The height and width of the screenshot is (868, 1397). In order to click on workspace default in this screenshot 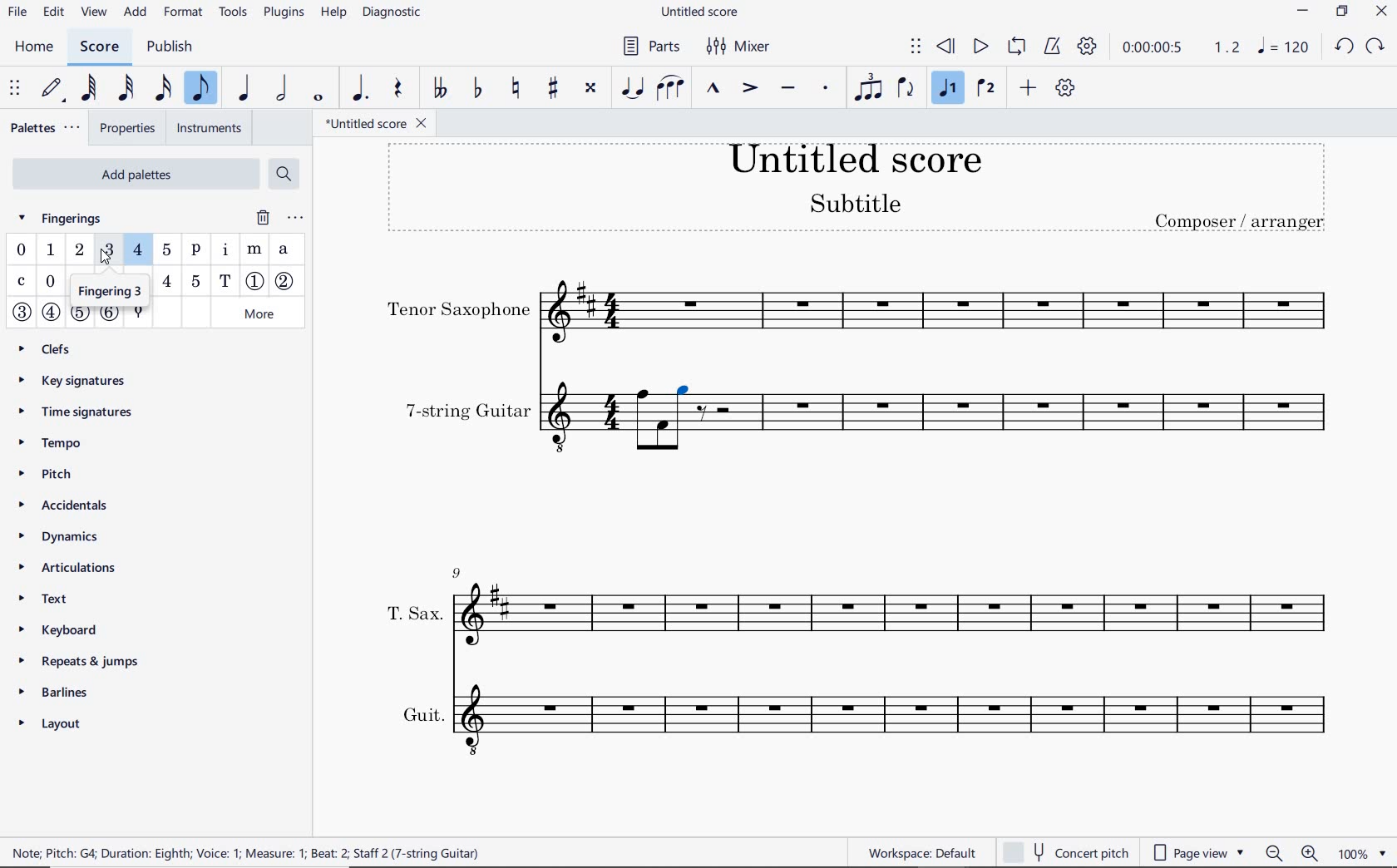, I will do `click(922, 852)`.